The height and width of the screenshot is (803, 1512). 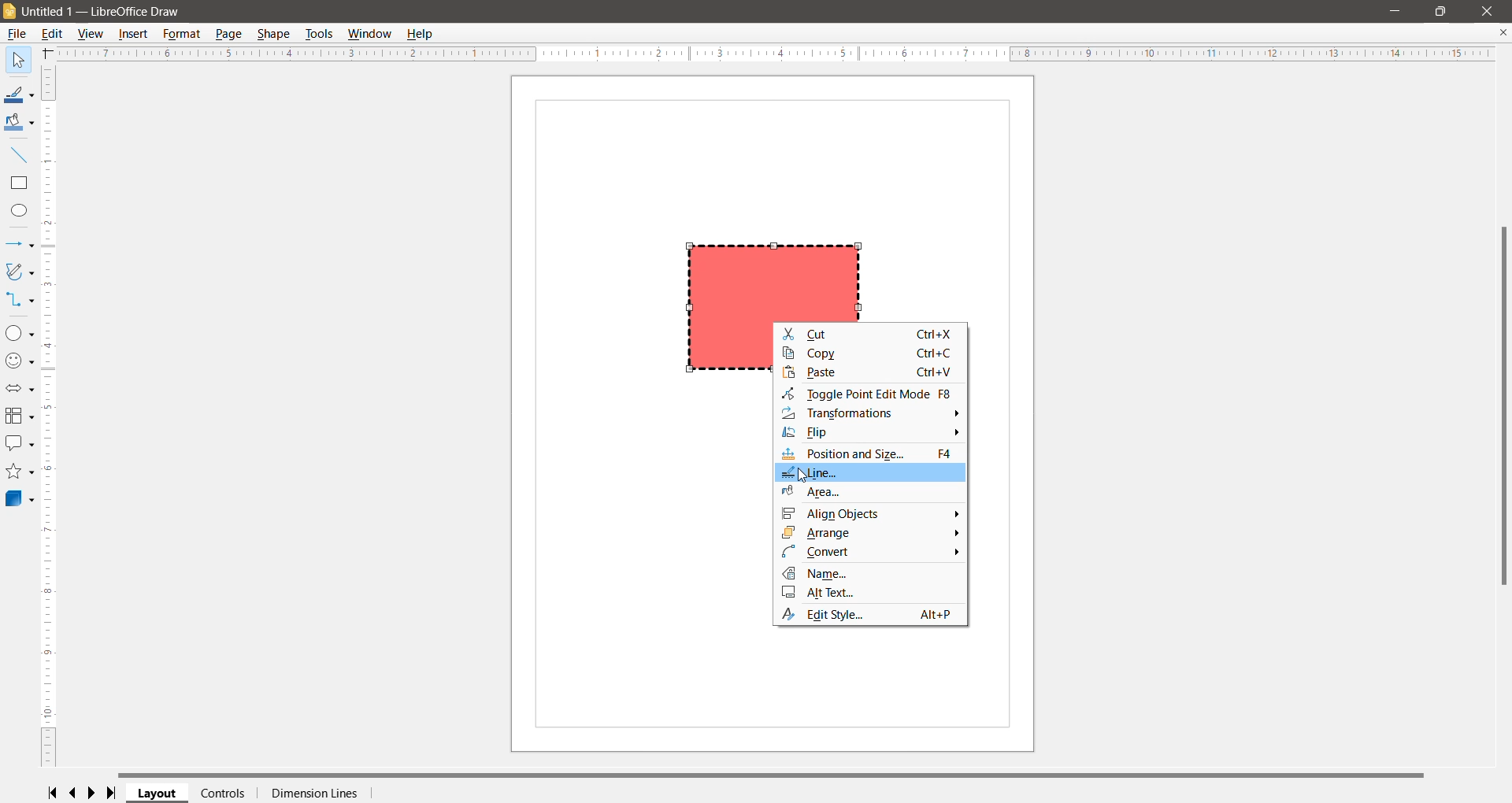 I want to click on Line, so click(x=870, y=472).